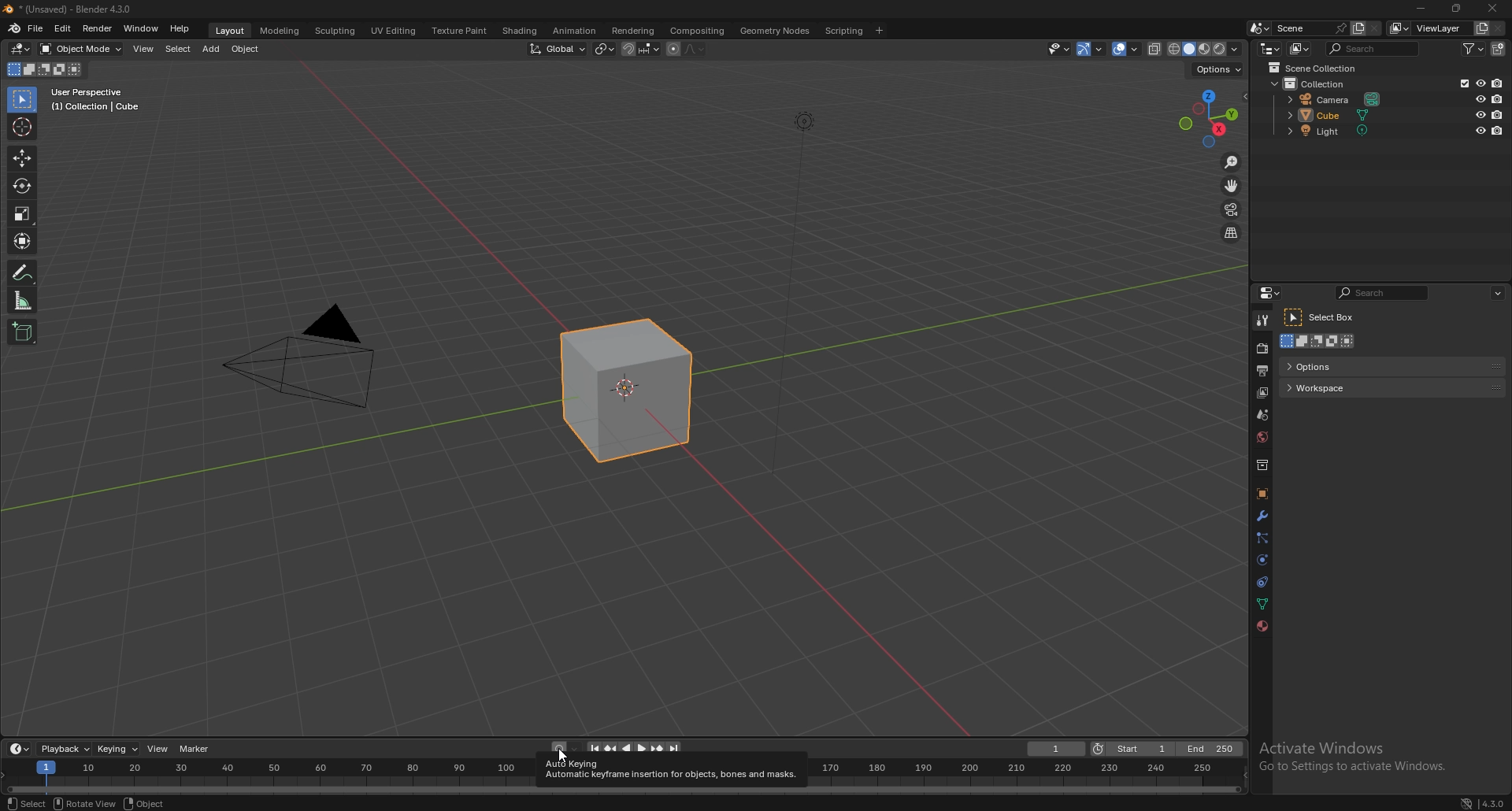 This screenshot has height=811, width=1512. What do you see at coordinates (612, 750) in the screenshot?
I see `jump to keyframe` at bounding box center [612, 750].